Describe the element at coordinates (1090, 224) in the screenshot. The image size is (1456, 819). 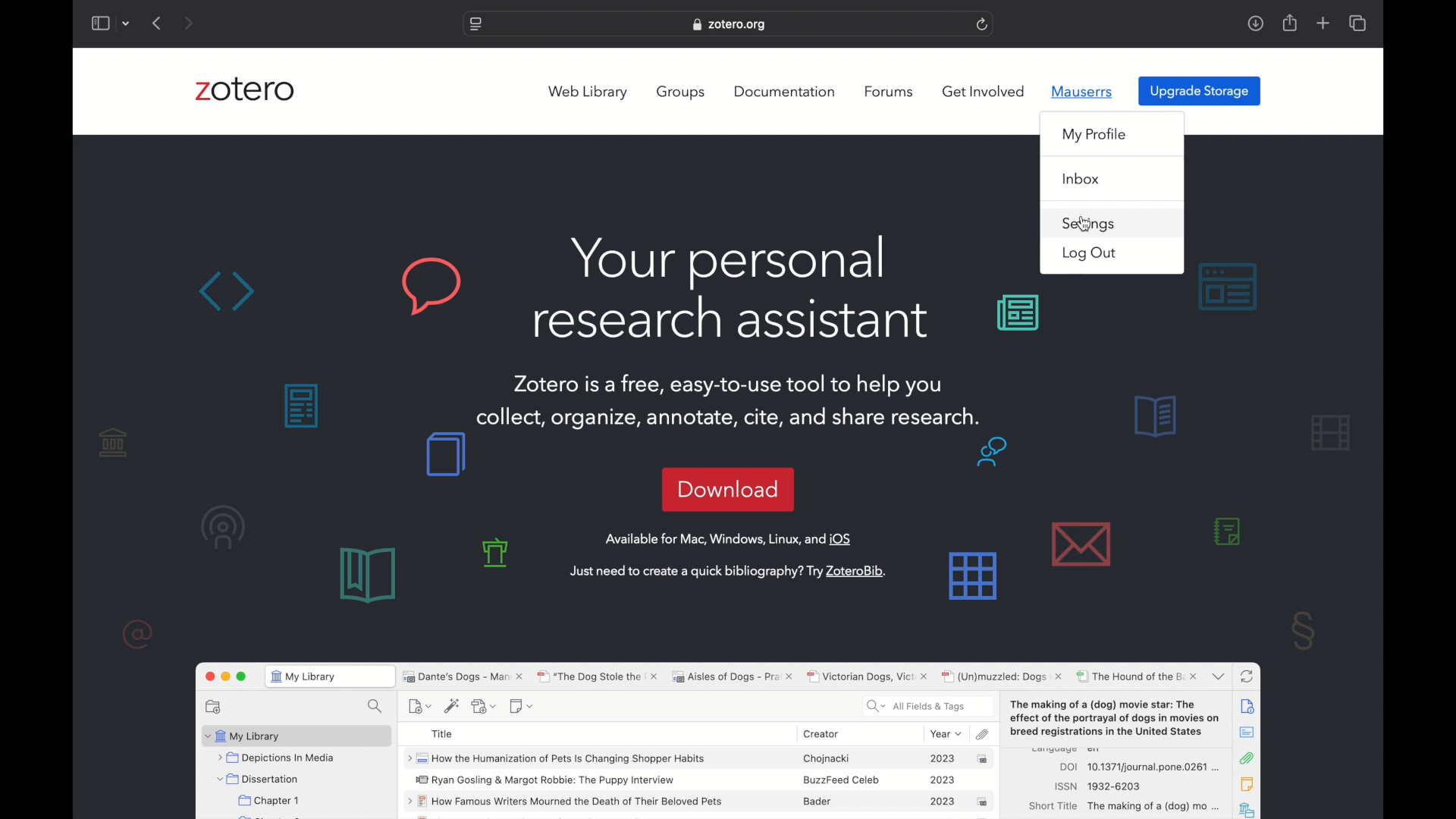
I see `settings` at that location.